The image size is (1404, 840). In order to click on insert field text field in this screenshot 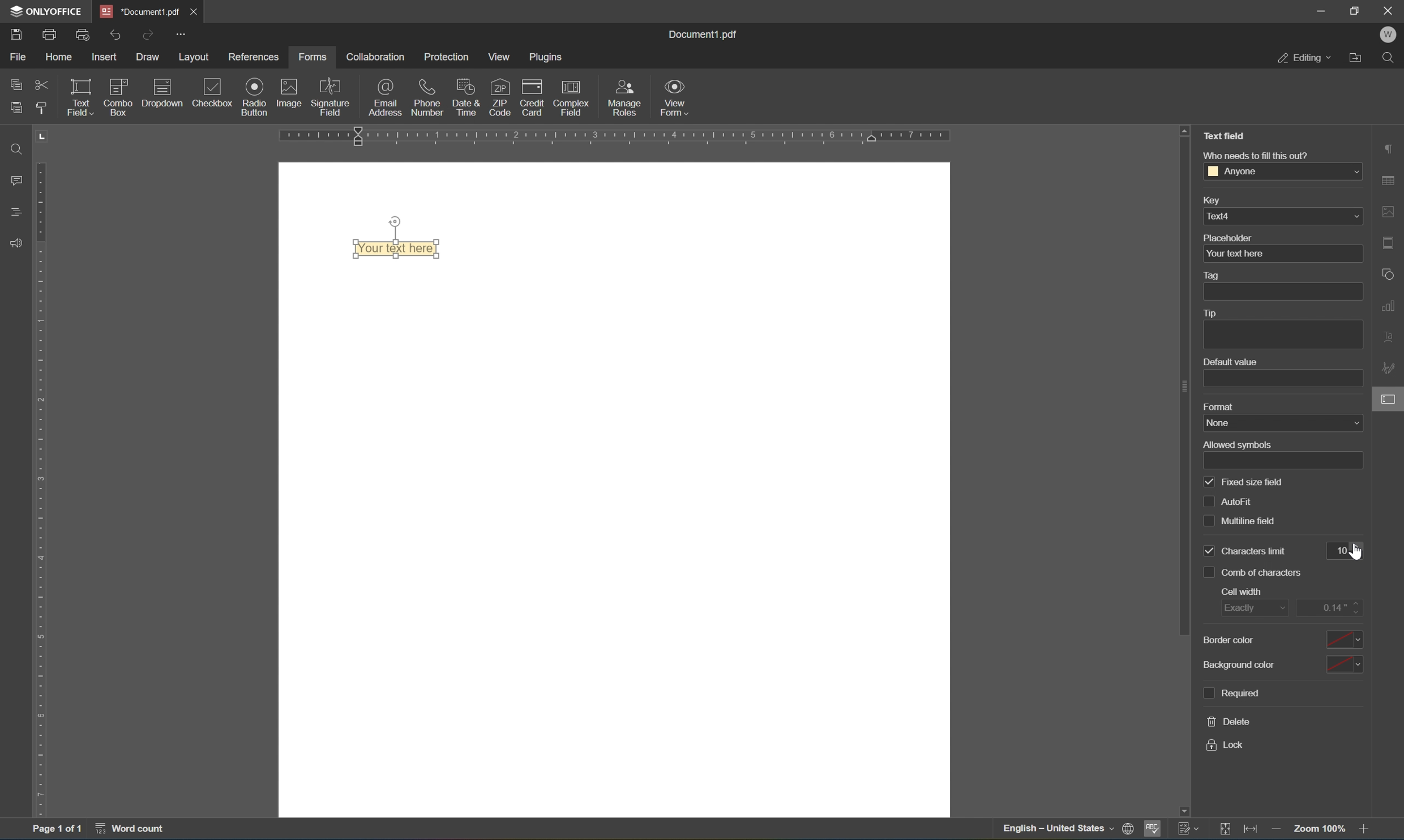, I will do `click(140, 117)`.